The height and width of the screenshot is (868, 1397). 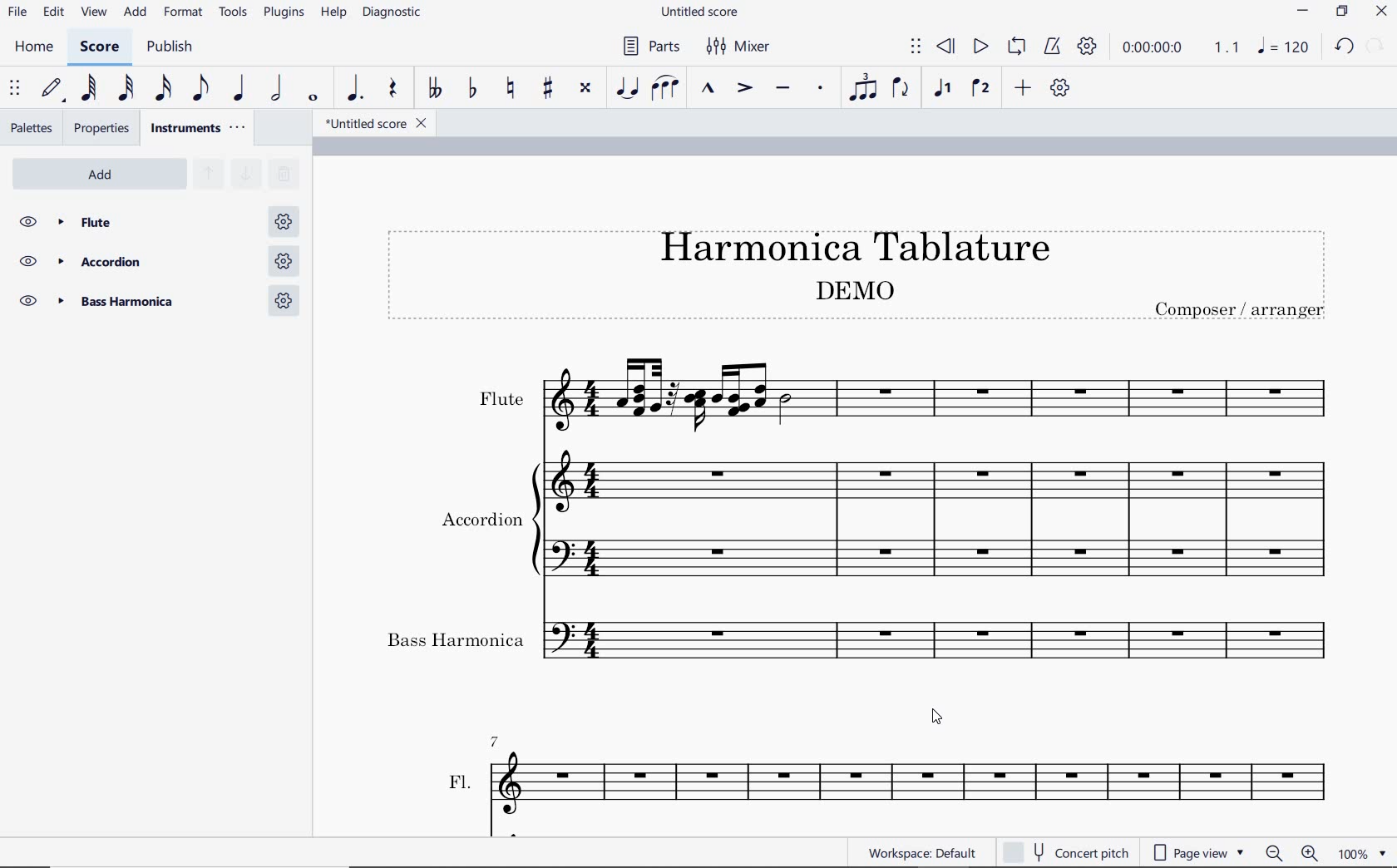 I want to click on CLOSE, so click(x=1380, y=11).